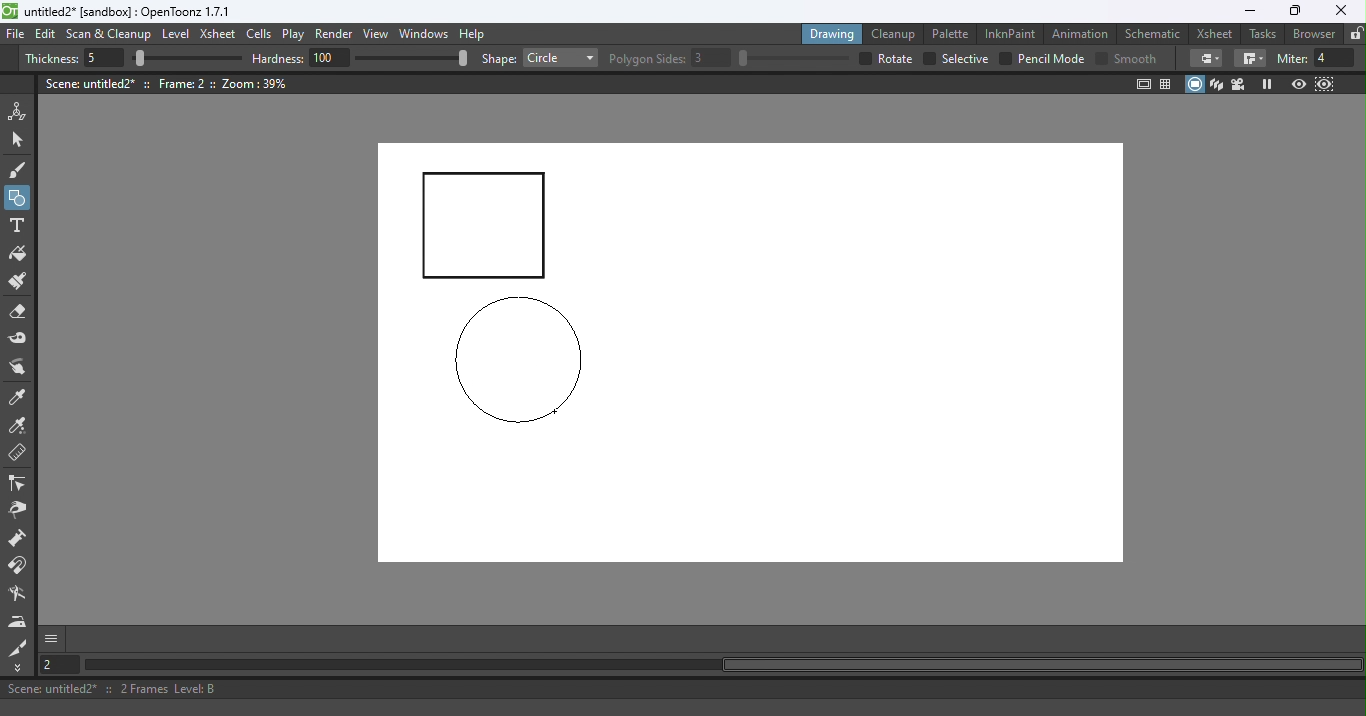 The height and width of the screenshot is (716, 1366). Describe the element at coordinates (129, 12) in the screenshot. I see `File name` at that location.